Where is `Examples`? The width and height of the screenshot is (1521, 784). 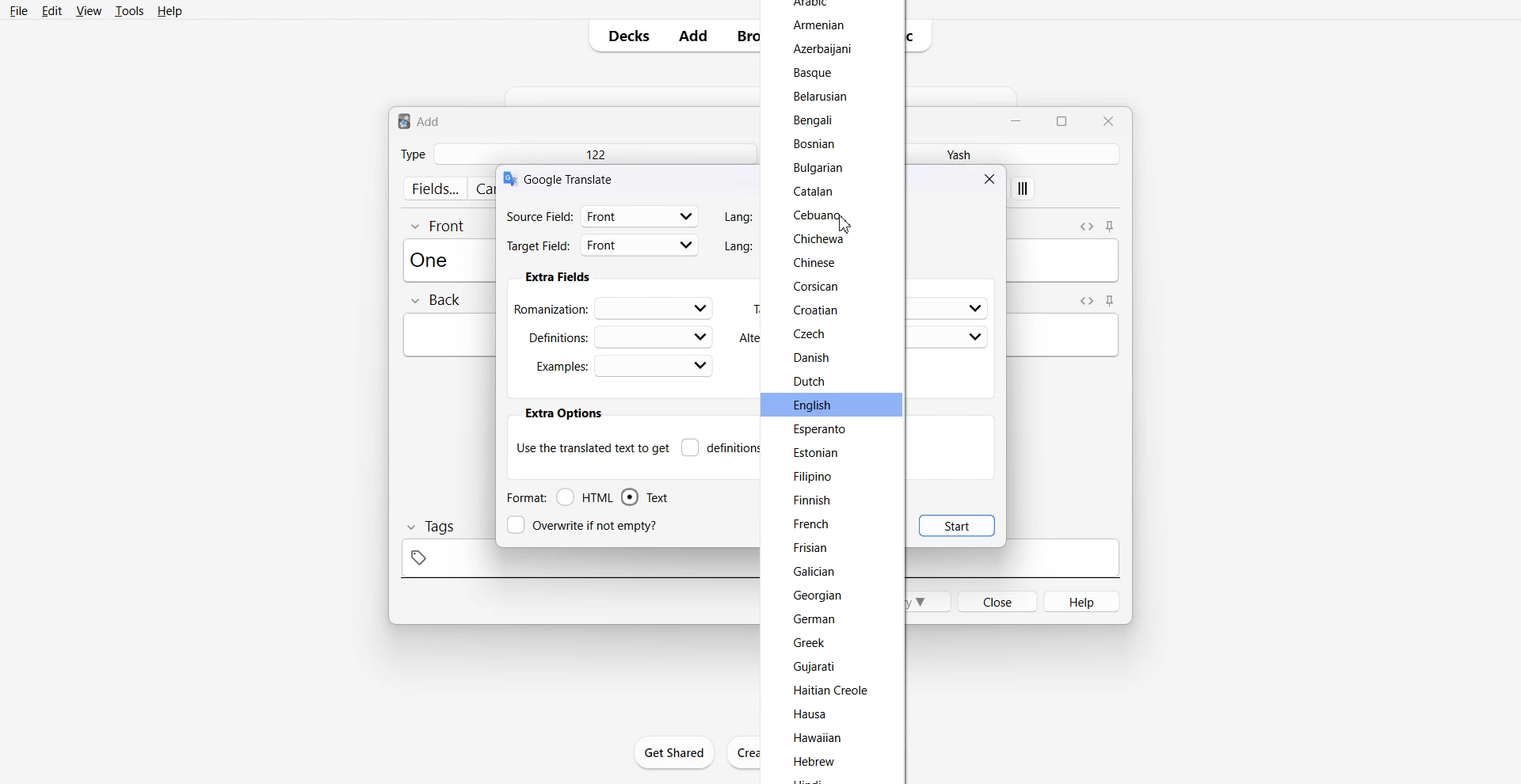 Examples is located at coordinates (623, 366).